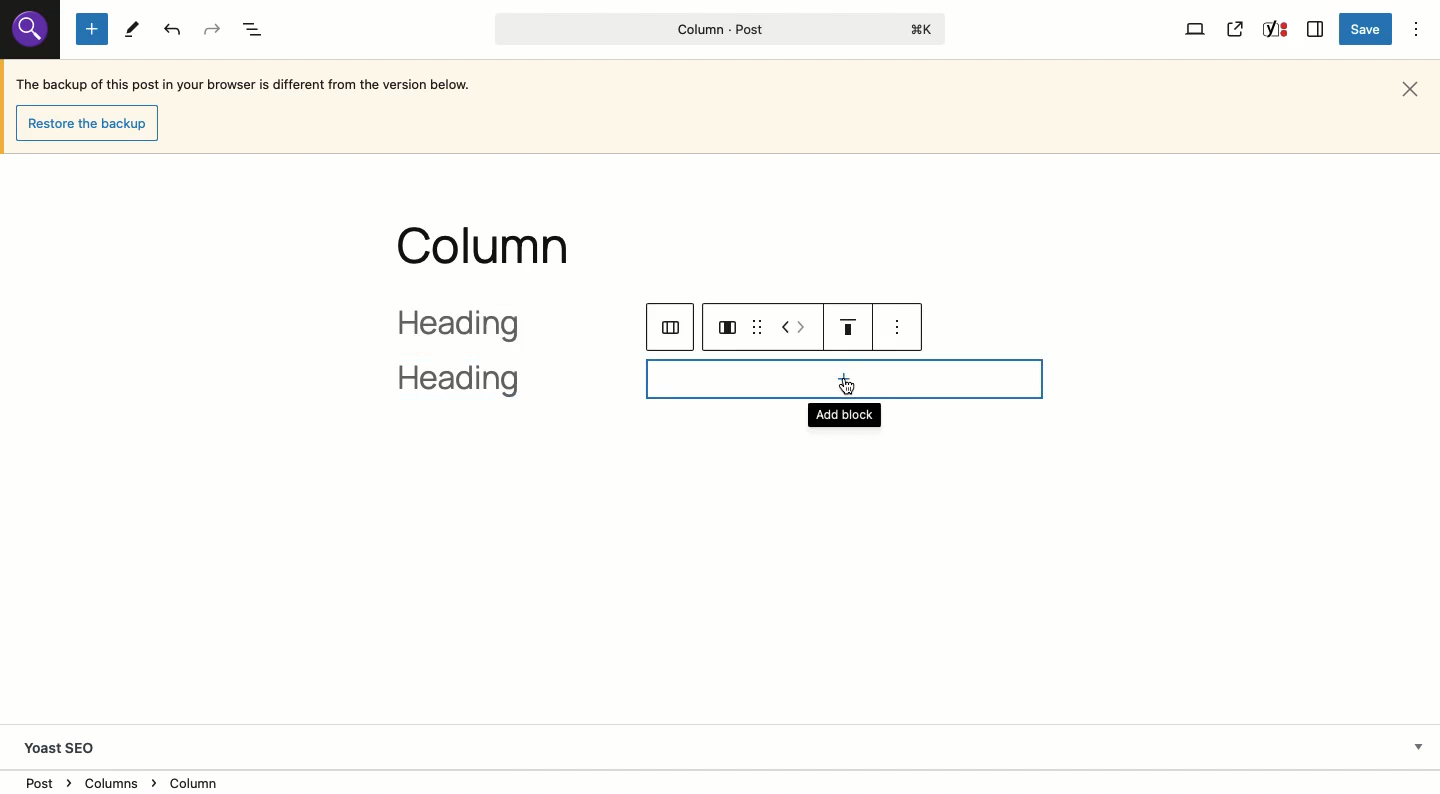 The height and width of the screenshot is (794, 1440). I want to click on Location, so click(722, 782).